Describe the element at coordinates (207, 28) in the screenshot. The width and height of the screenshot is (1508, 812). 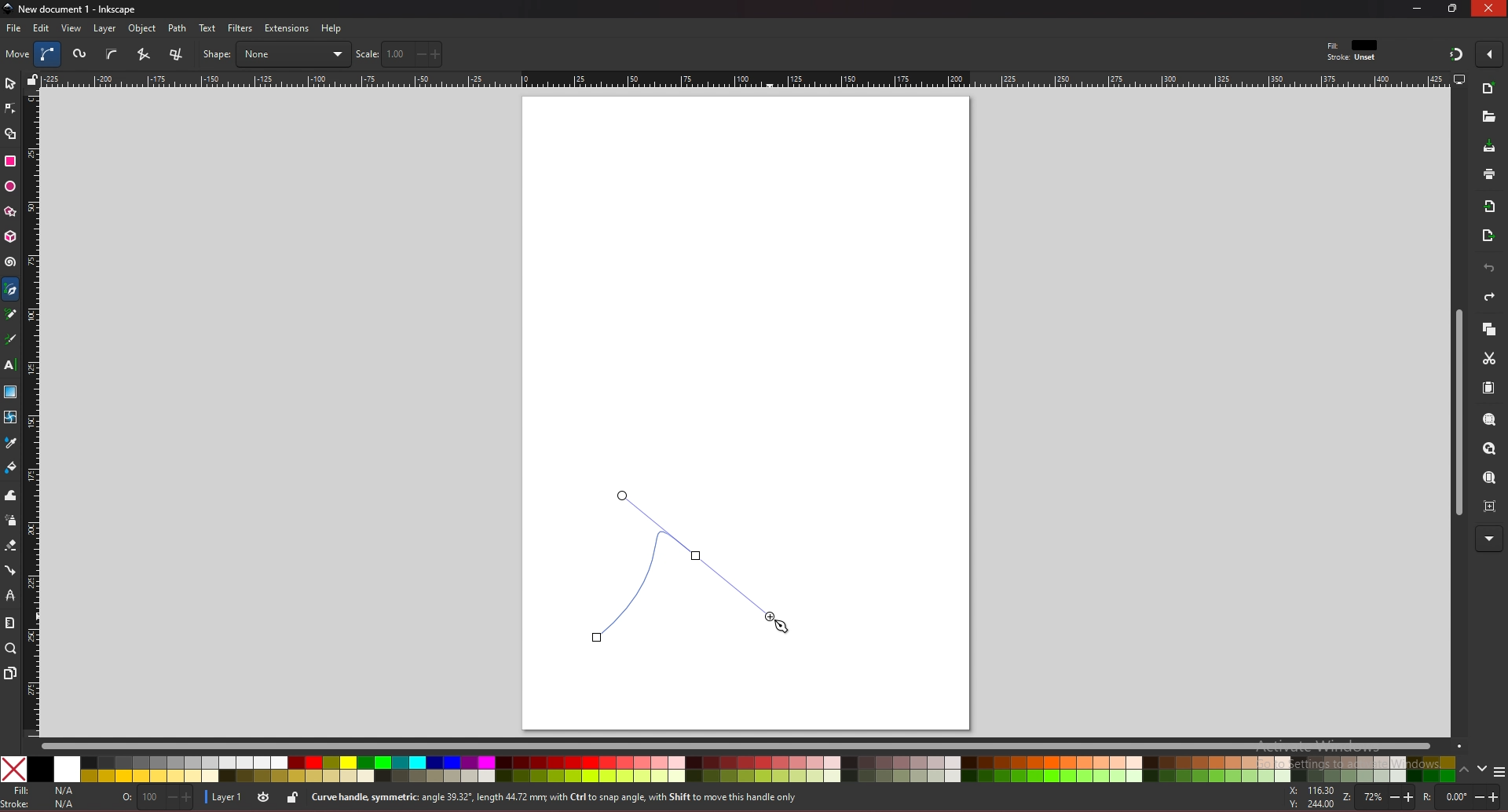
I see `text` at that location.